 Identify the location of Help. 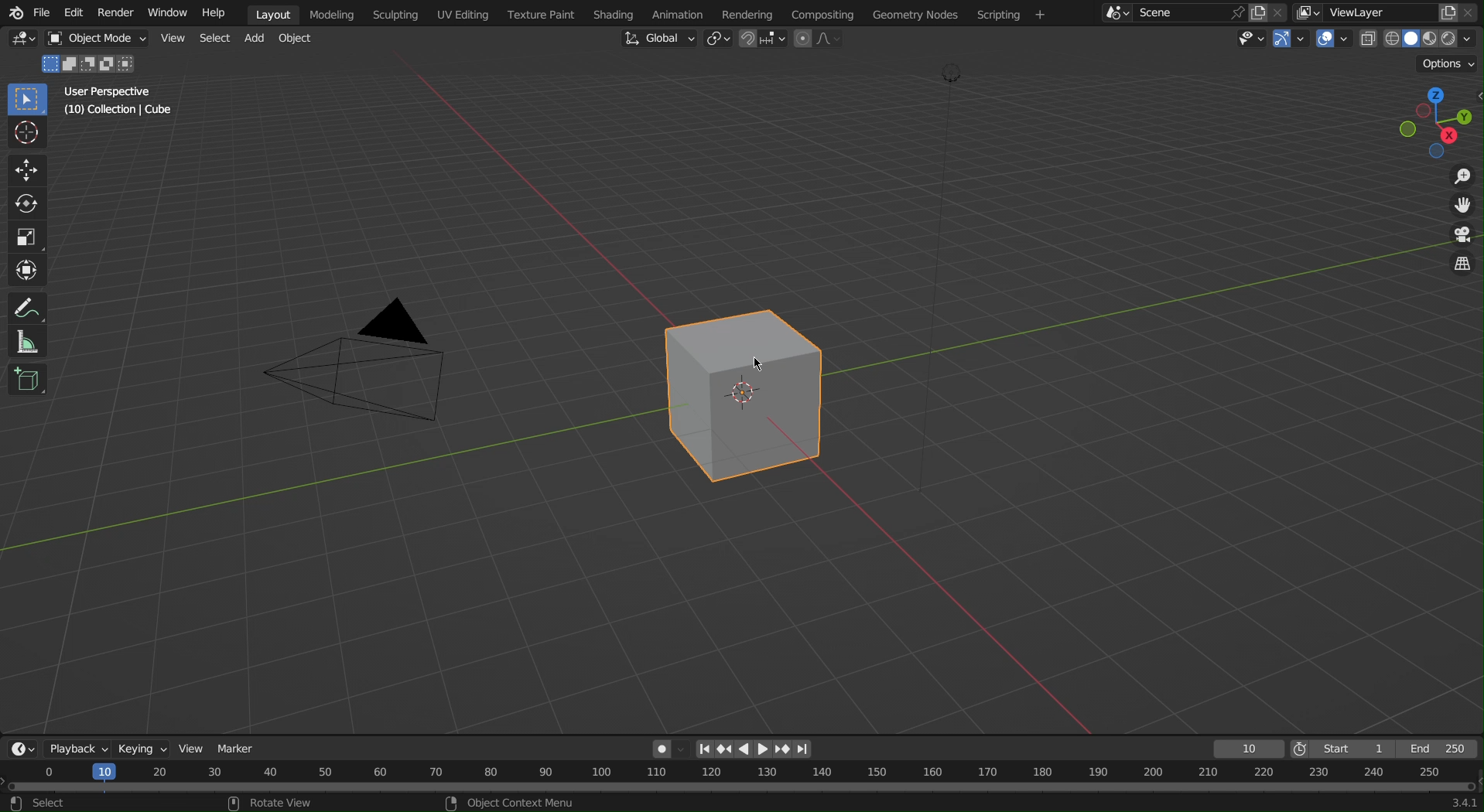
(218, 12).